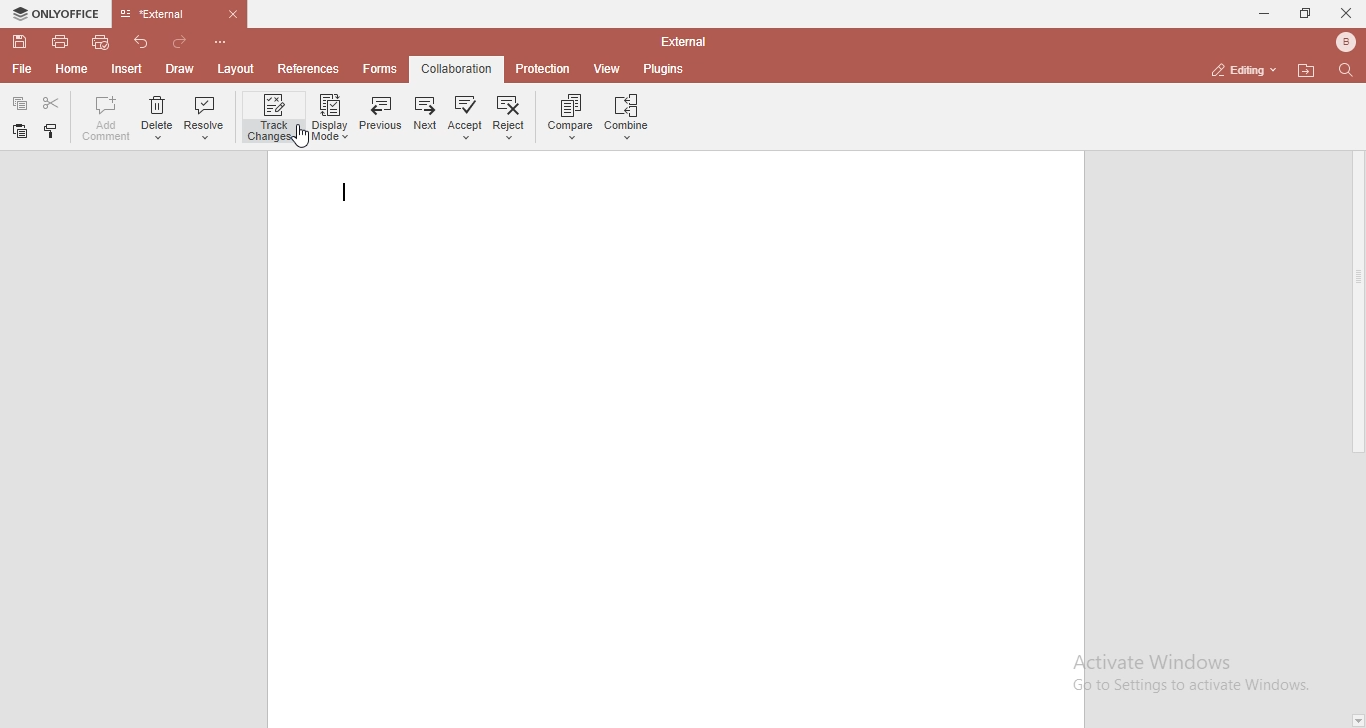  What do you see at coordinates (683, 40) in the screenshot?
I see `file name` at bounding box center [683, 40].